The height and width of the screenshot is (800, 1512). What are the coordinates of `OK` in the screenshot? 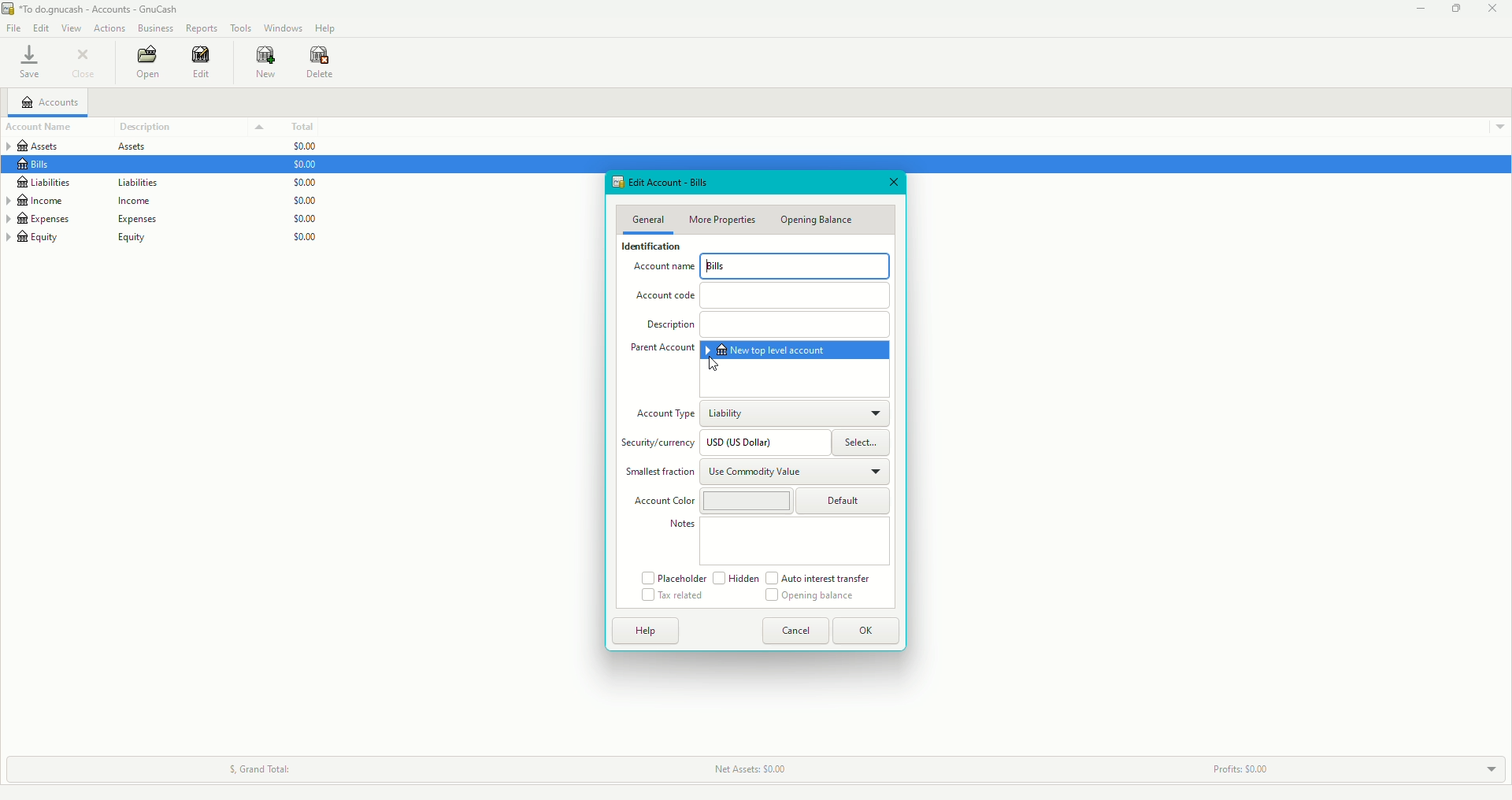 It's located at (867, 631).